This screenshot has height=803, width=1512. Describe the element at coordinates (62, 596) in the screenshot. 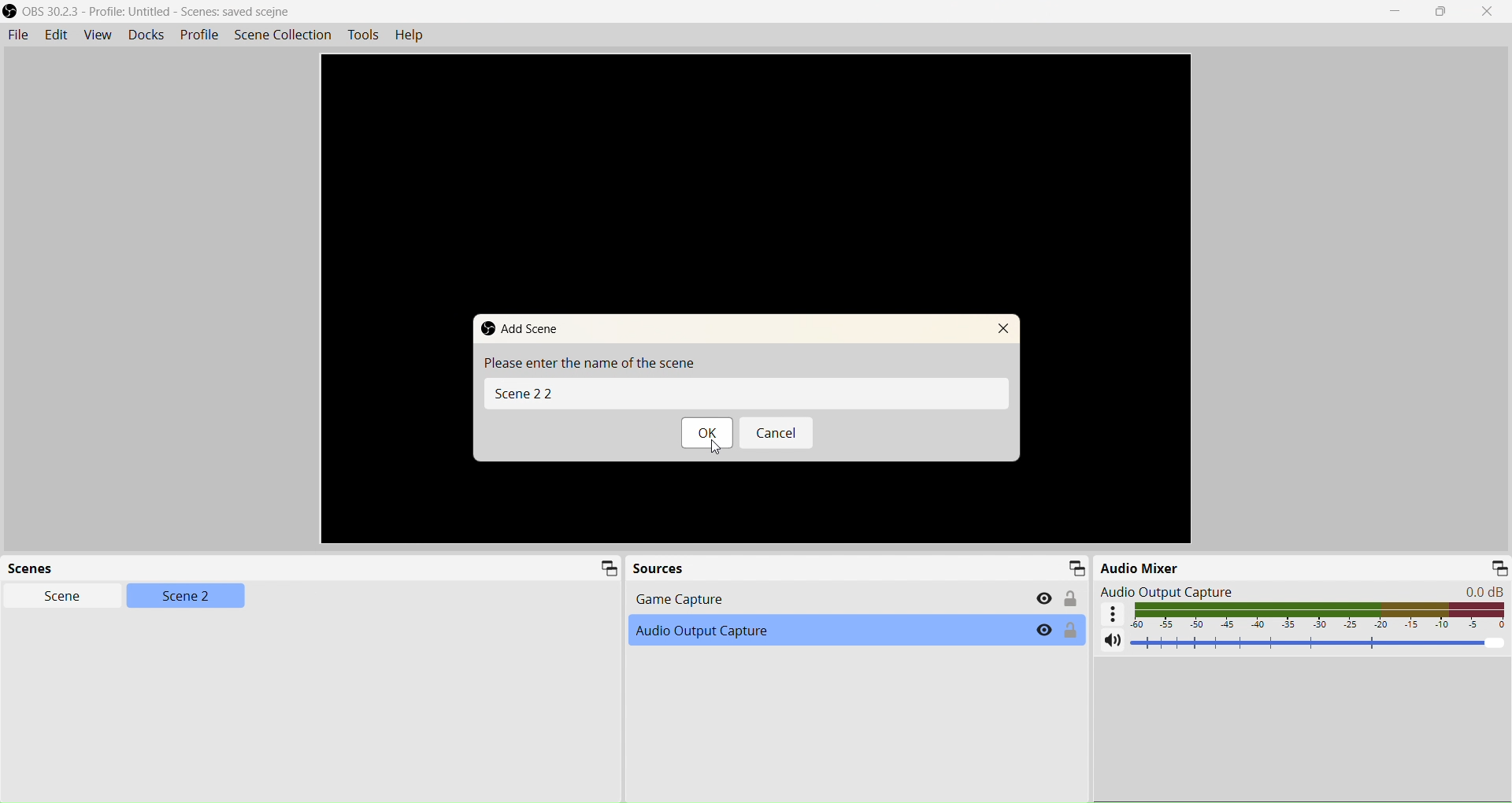

I see `Scene` at that location.